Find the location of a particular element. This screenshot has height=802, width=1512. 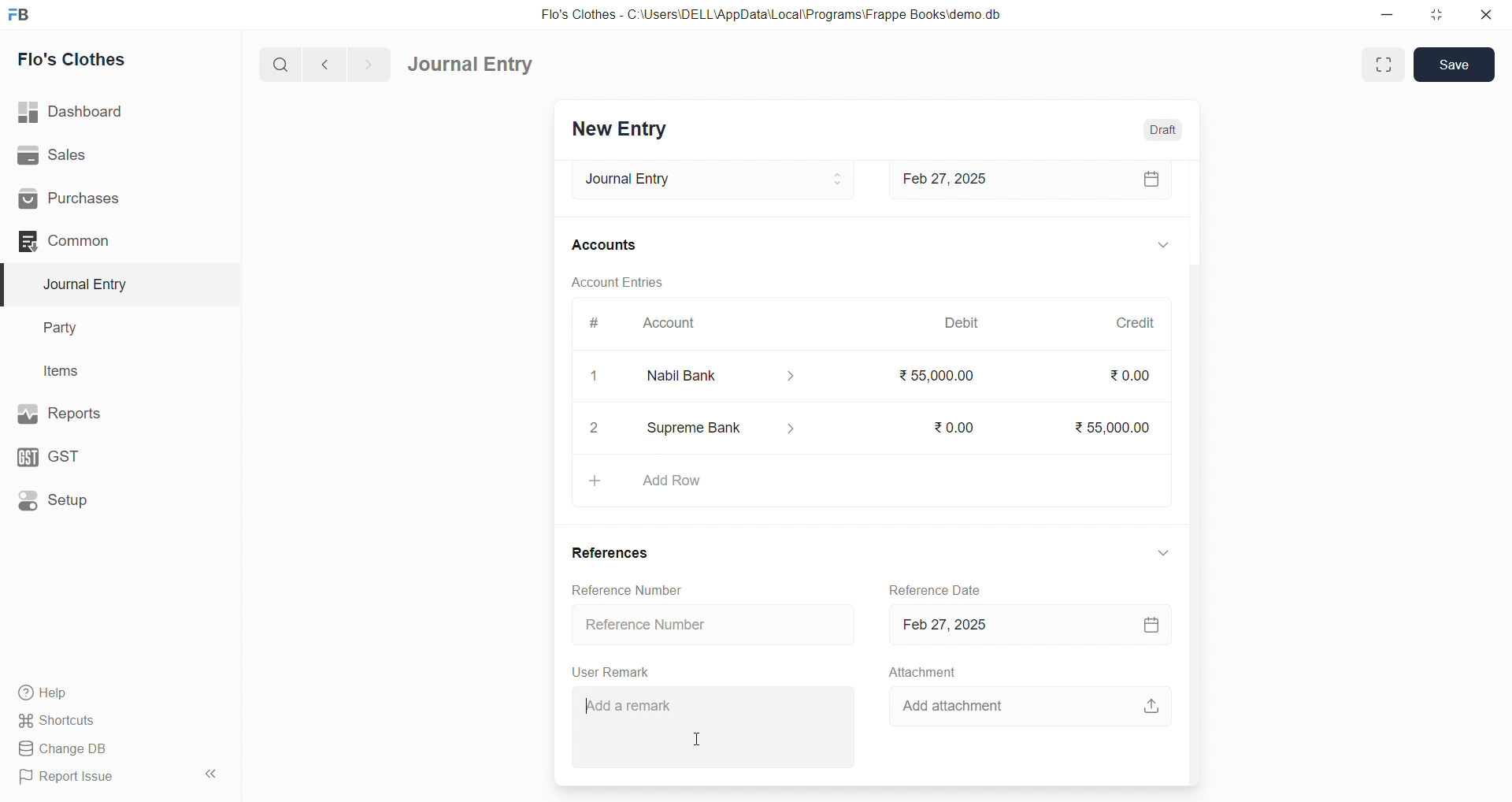

Shortcuts is located at coordinates (95, 722).